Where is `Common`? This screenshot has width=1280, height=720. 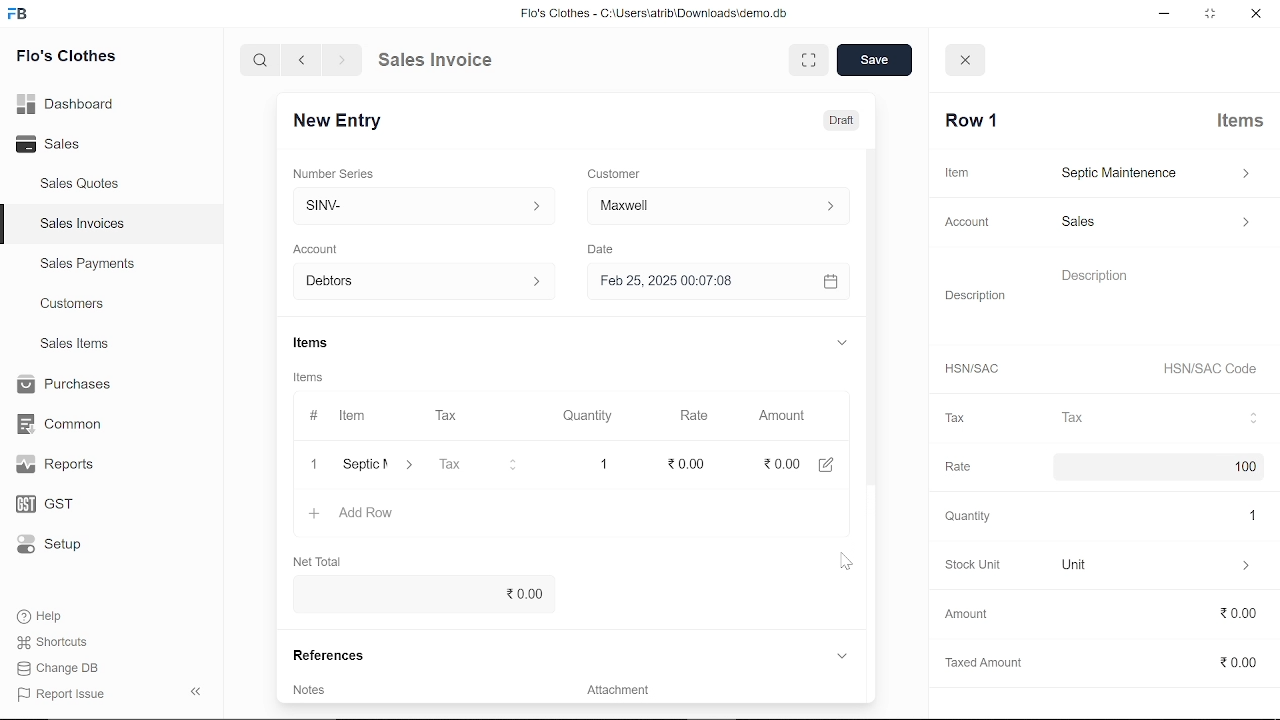 Common is located at coordinates (62, 424).